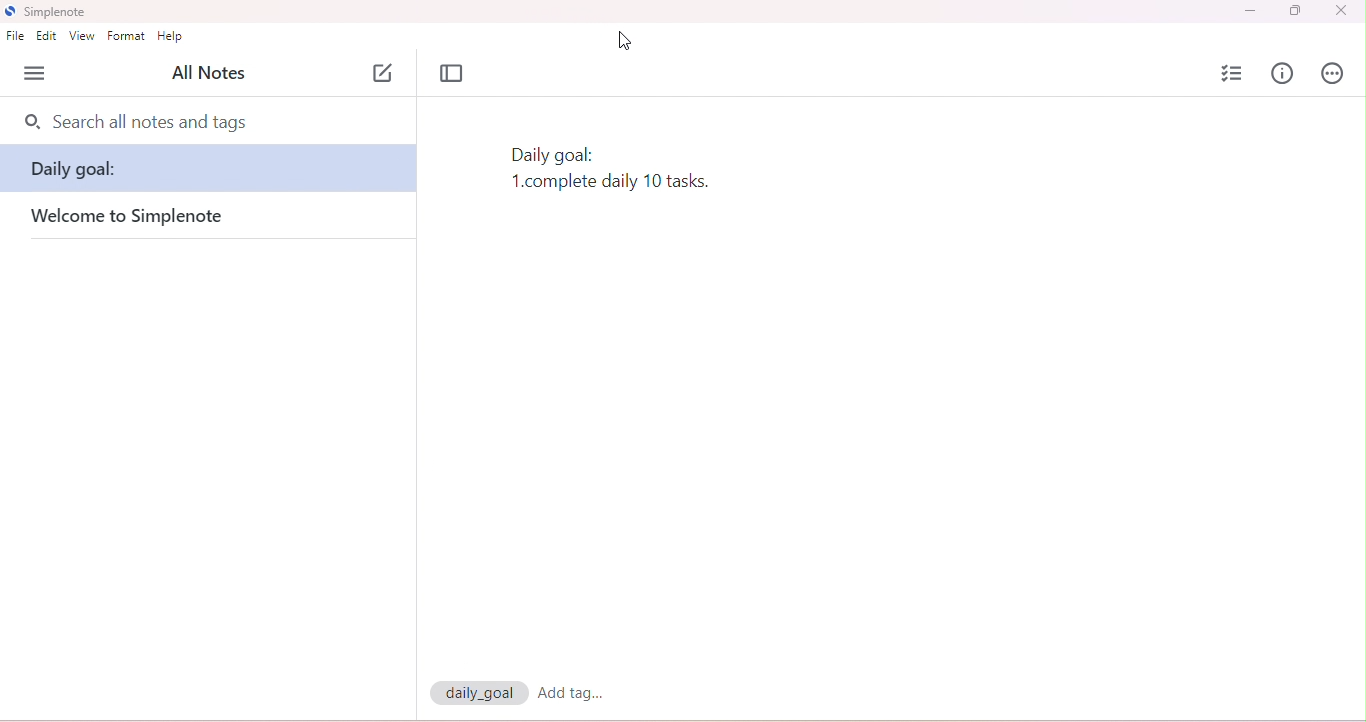 The image size is (1366, 722). Describe the element at coordinates (83, 36) in the screenshot. I see `view` at that location.